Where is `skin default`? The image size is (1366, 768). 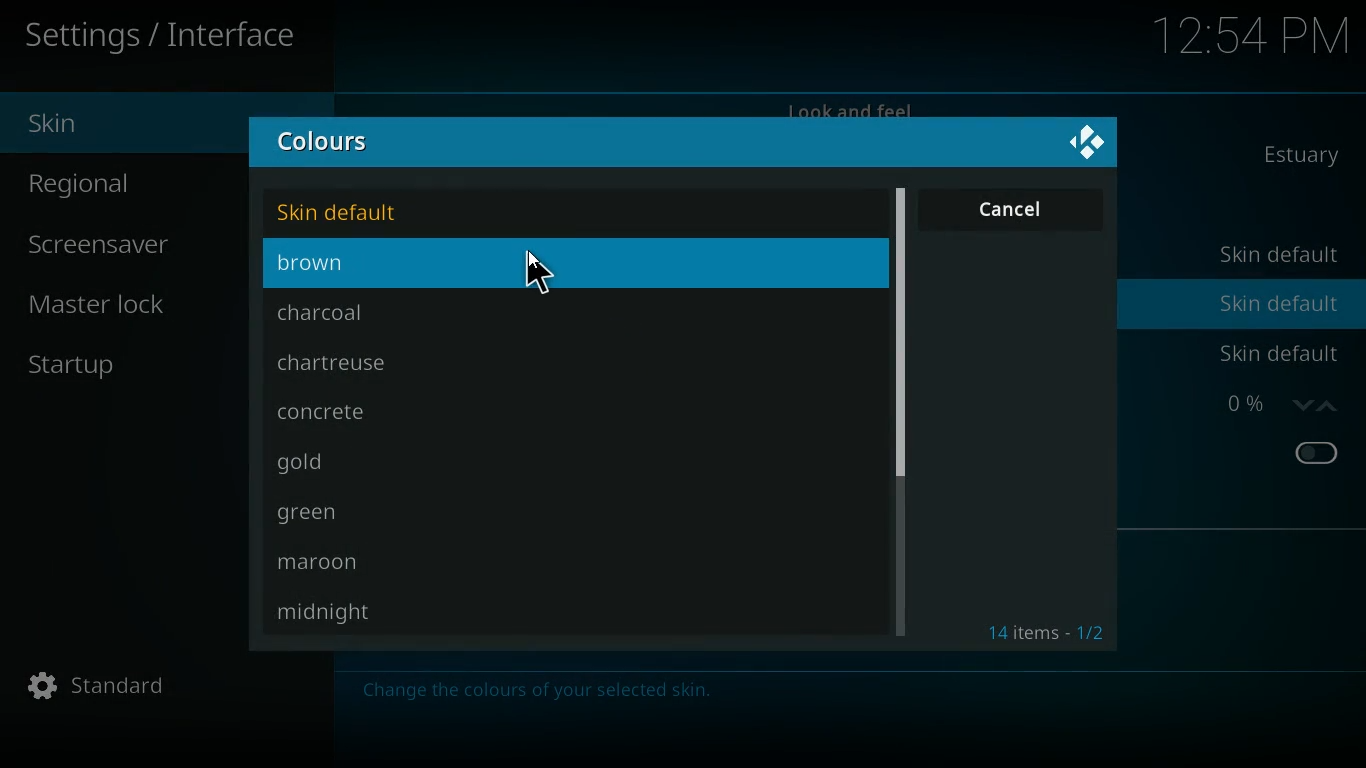 skin default is located at coordinates (1282, 353).